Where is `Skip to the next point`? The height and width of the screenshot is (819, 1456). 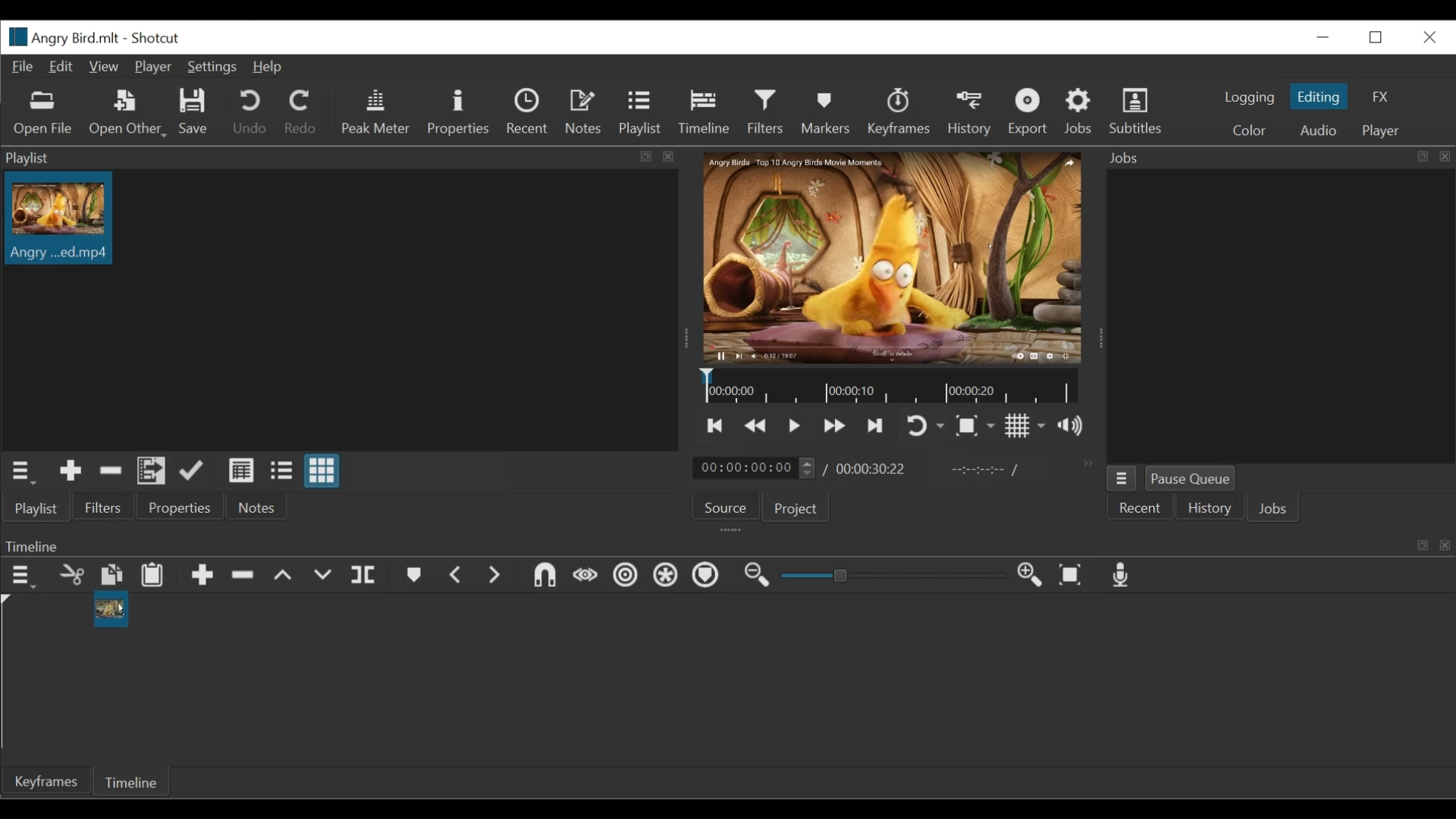
Skip to the next point is located at coordinates (717, 425).